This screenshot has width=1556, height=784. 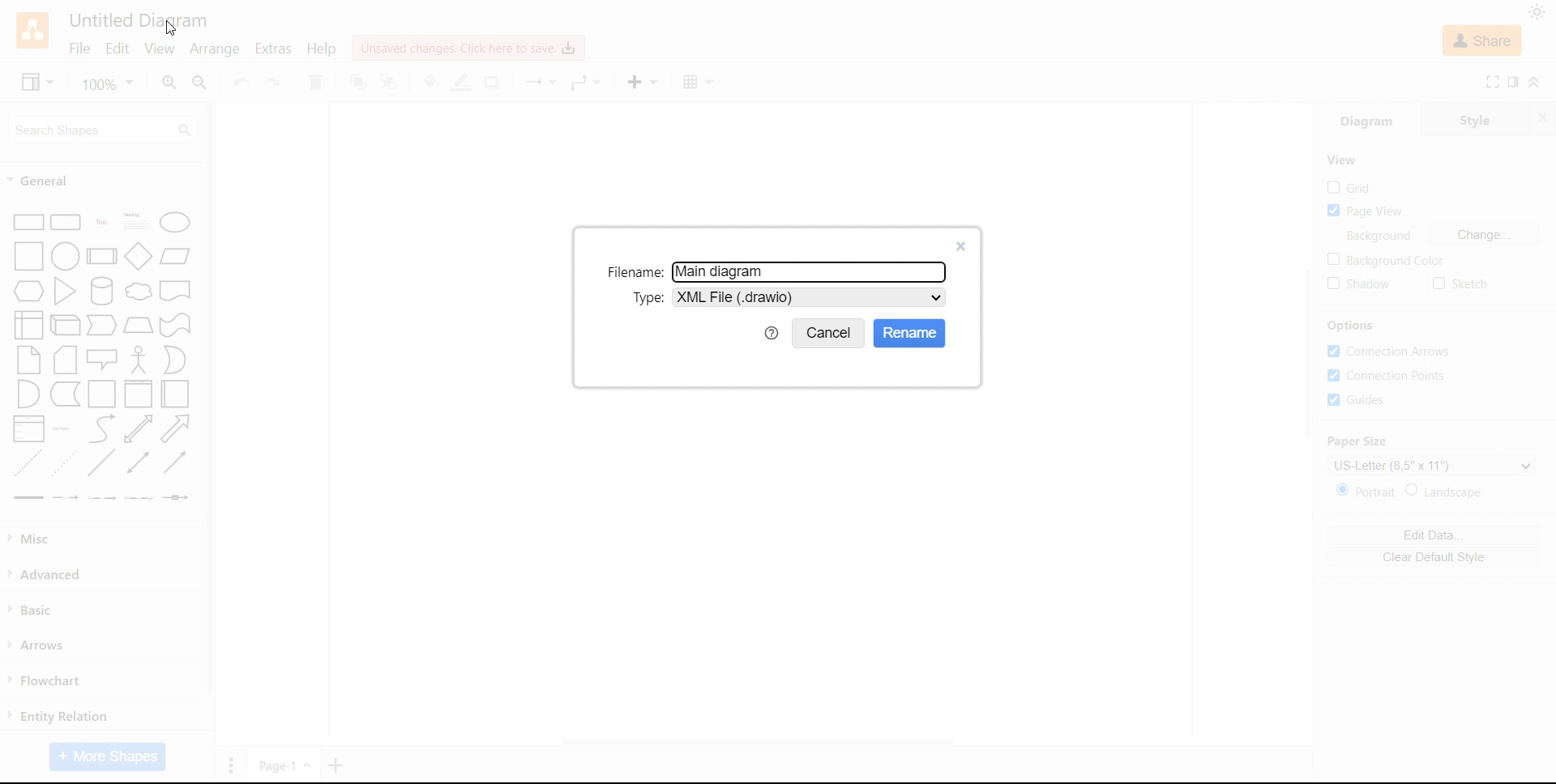 I want to click on Scroll bar Horizontal  , so click(x=755, y=744).